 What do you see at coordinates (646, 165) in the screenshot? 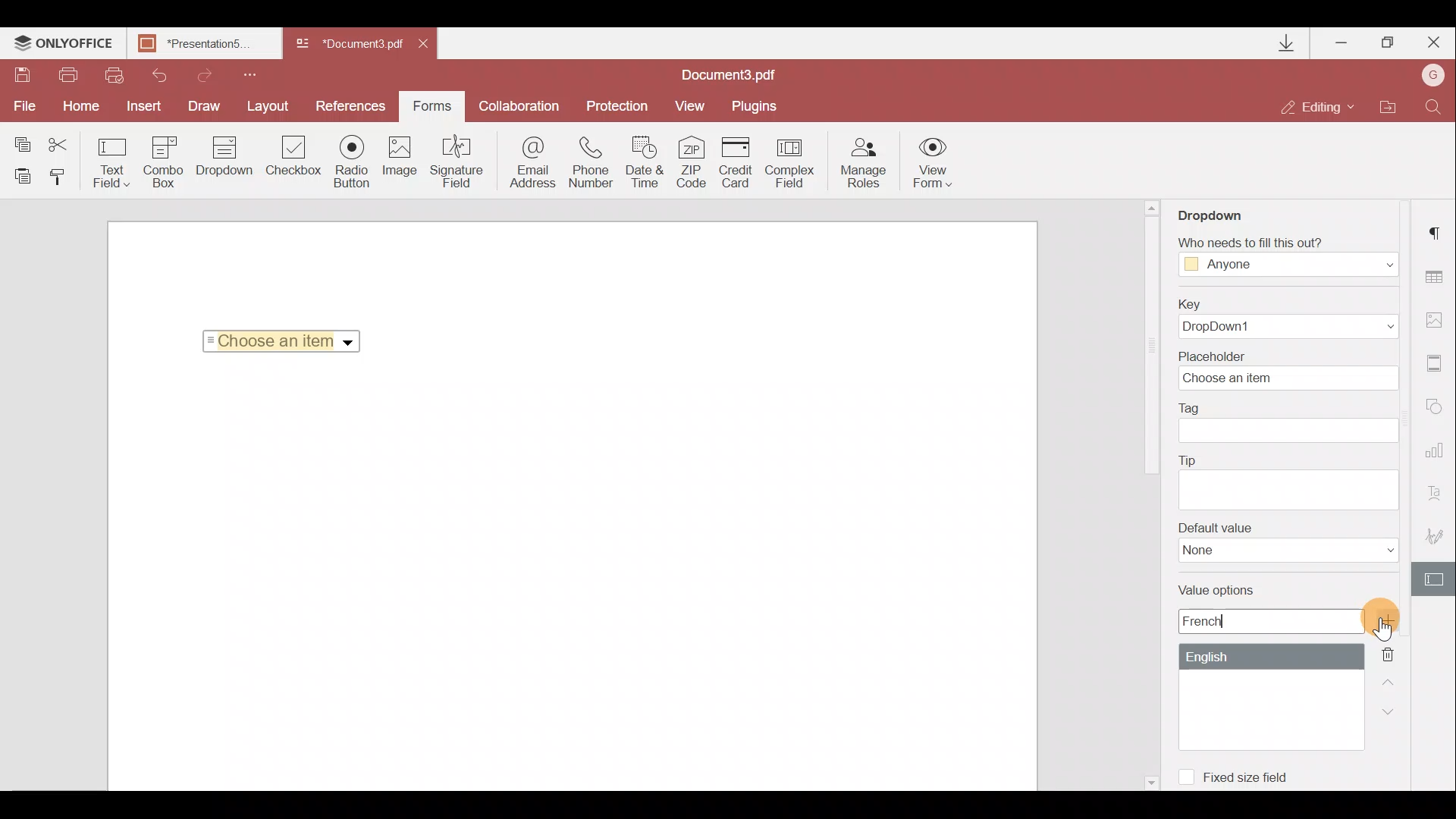
I see `Date & time` at bounding box center [646, 165].